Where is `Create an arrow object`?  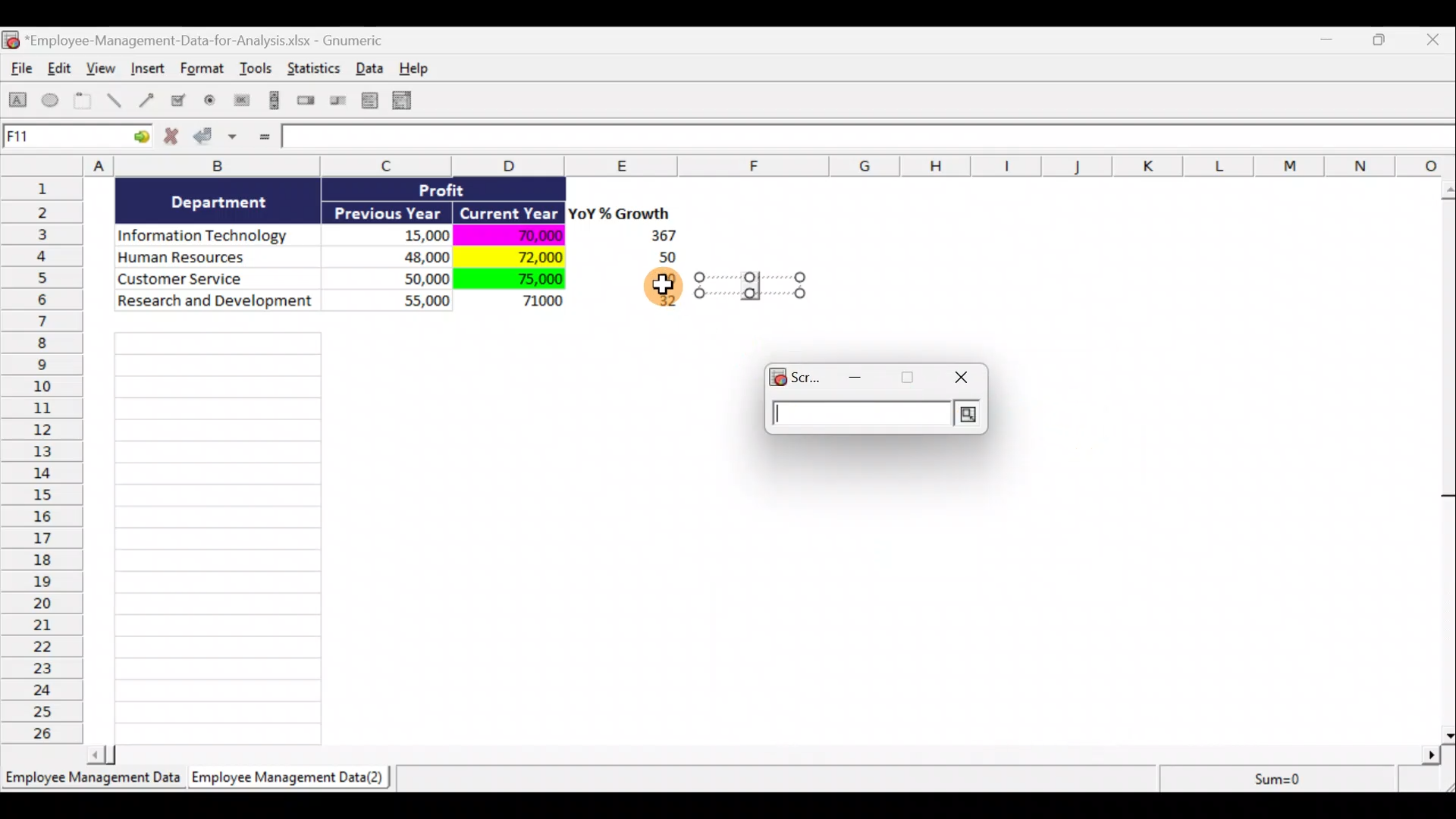
Create an arrow object is located at coordinates (146, 99).